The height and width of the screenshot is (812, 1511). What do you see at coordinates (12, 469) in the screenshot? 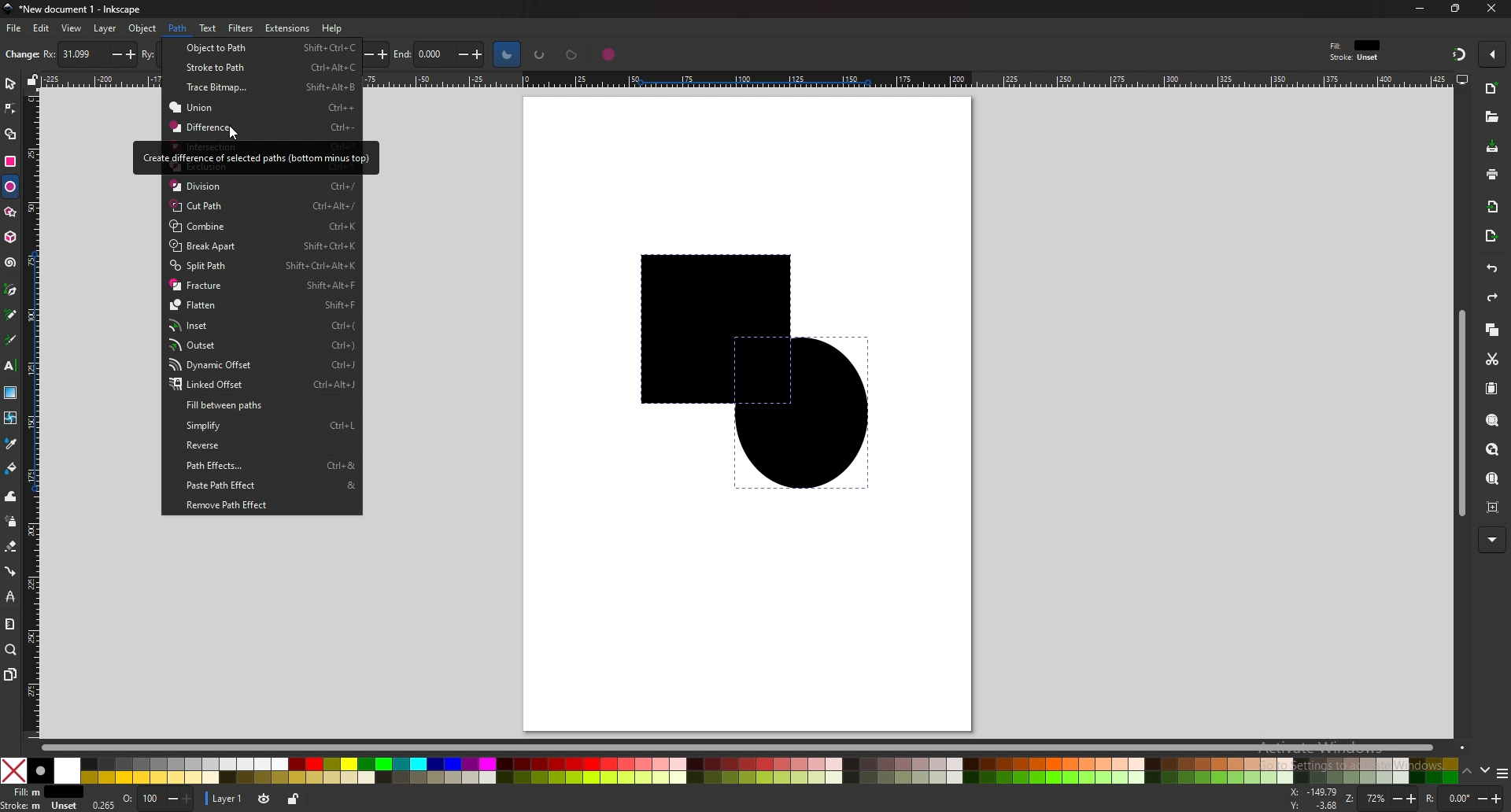
I see `paint bucket` at bounding box center [12, 469].